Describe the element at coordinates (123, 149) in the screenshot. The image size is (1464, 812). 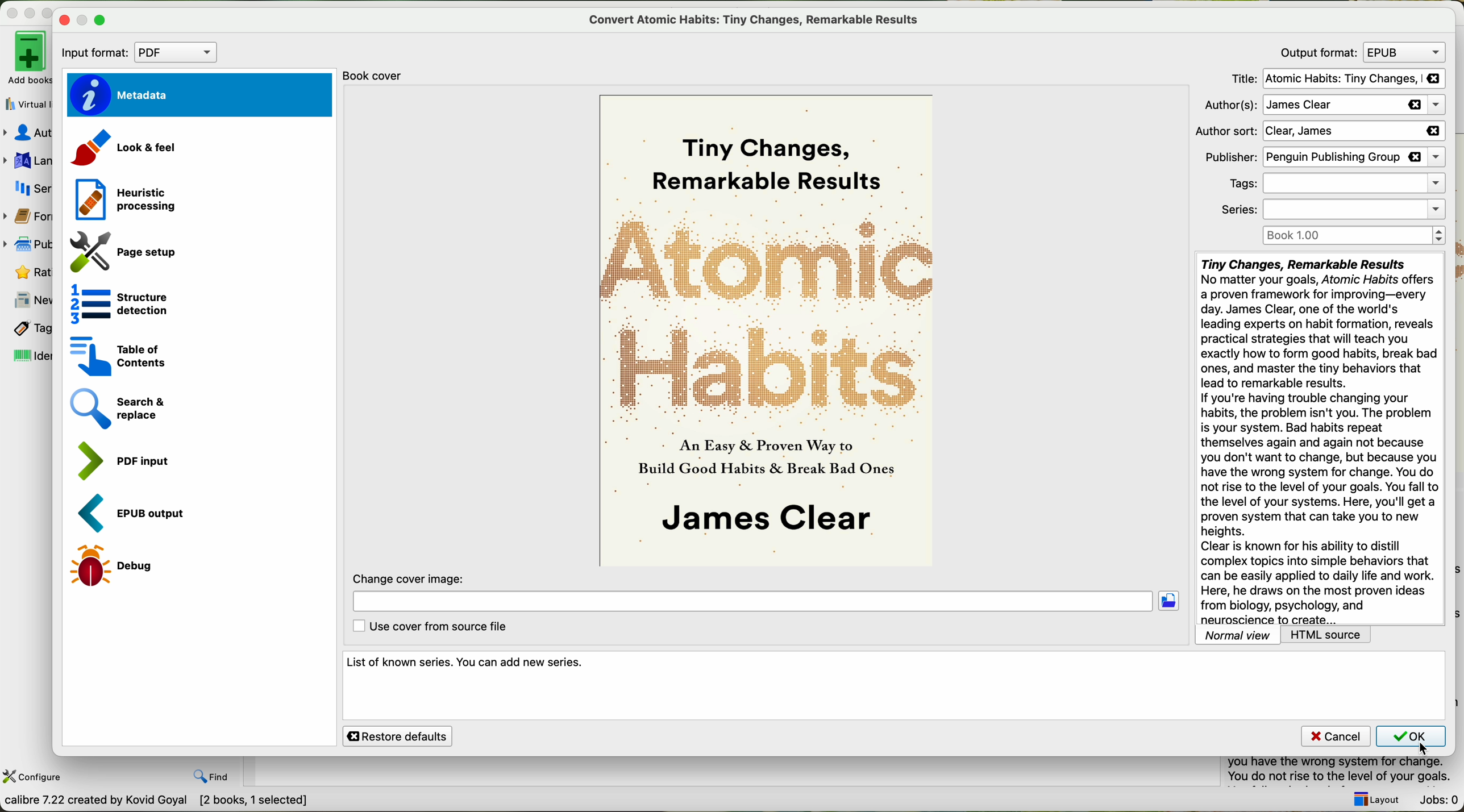
I see `look and feel` at that location.